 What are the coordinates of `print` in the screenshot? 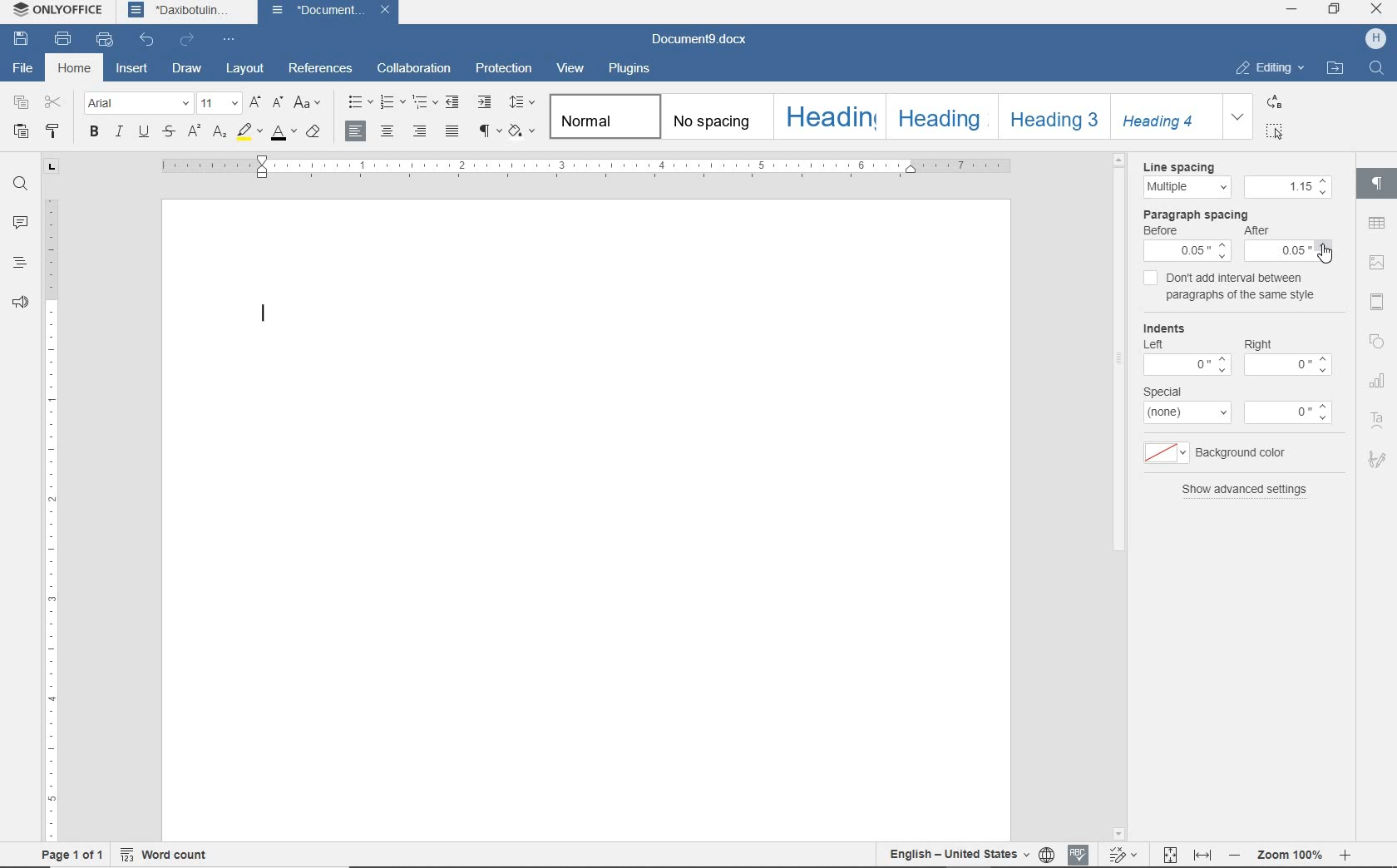 It's located at (67, 40).